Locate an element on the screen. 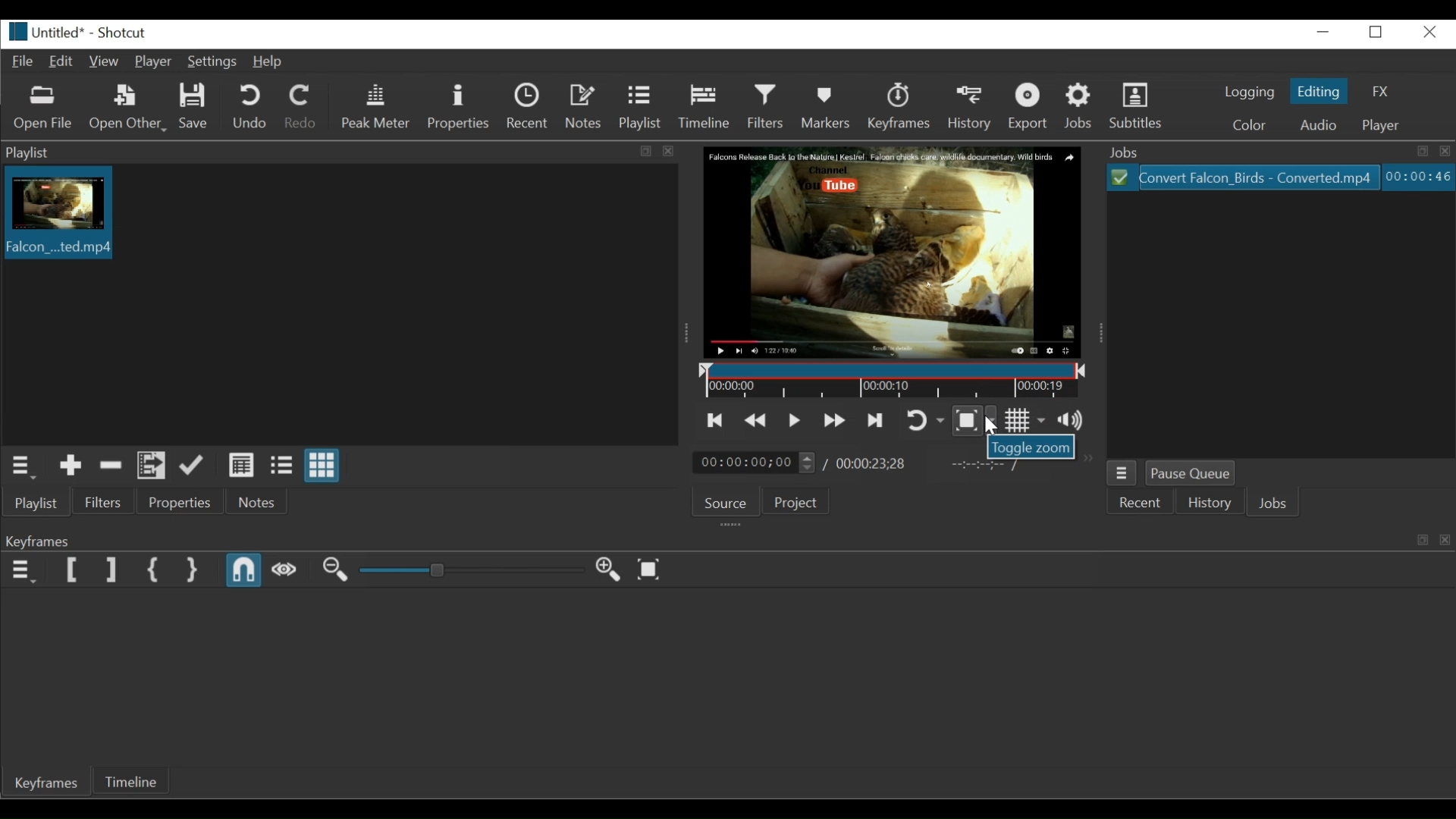 The height and width of the screenshot is (819, 1456). Playlist menu is located at coordinates (24, 468).